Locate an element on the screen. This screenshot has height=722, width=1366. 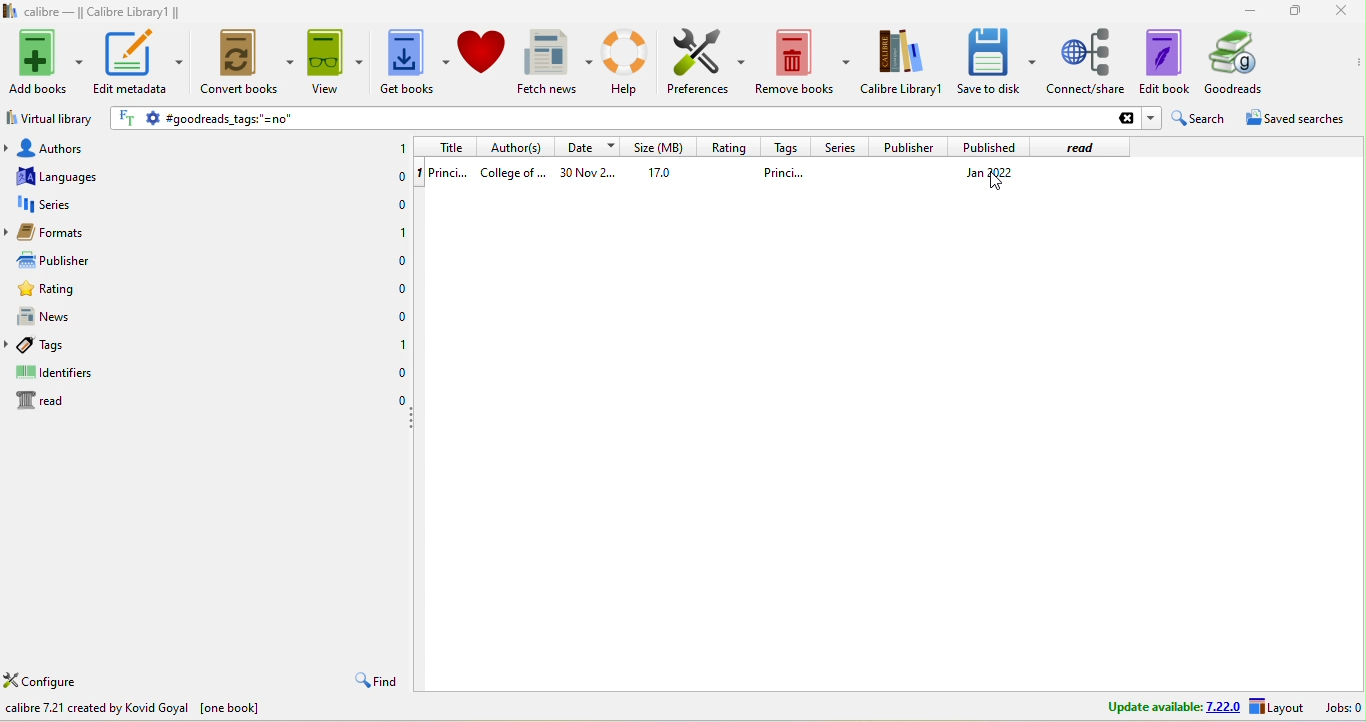
layout is located at coordinates (1279, 708).